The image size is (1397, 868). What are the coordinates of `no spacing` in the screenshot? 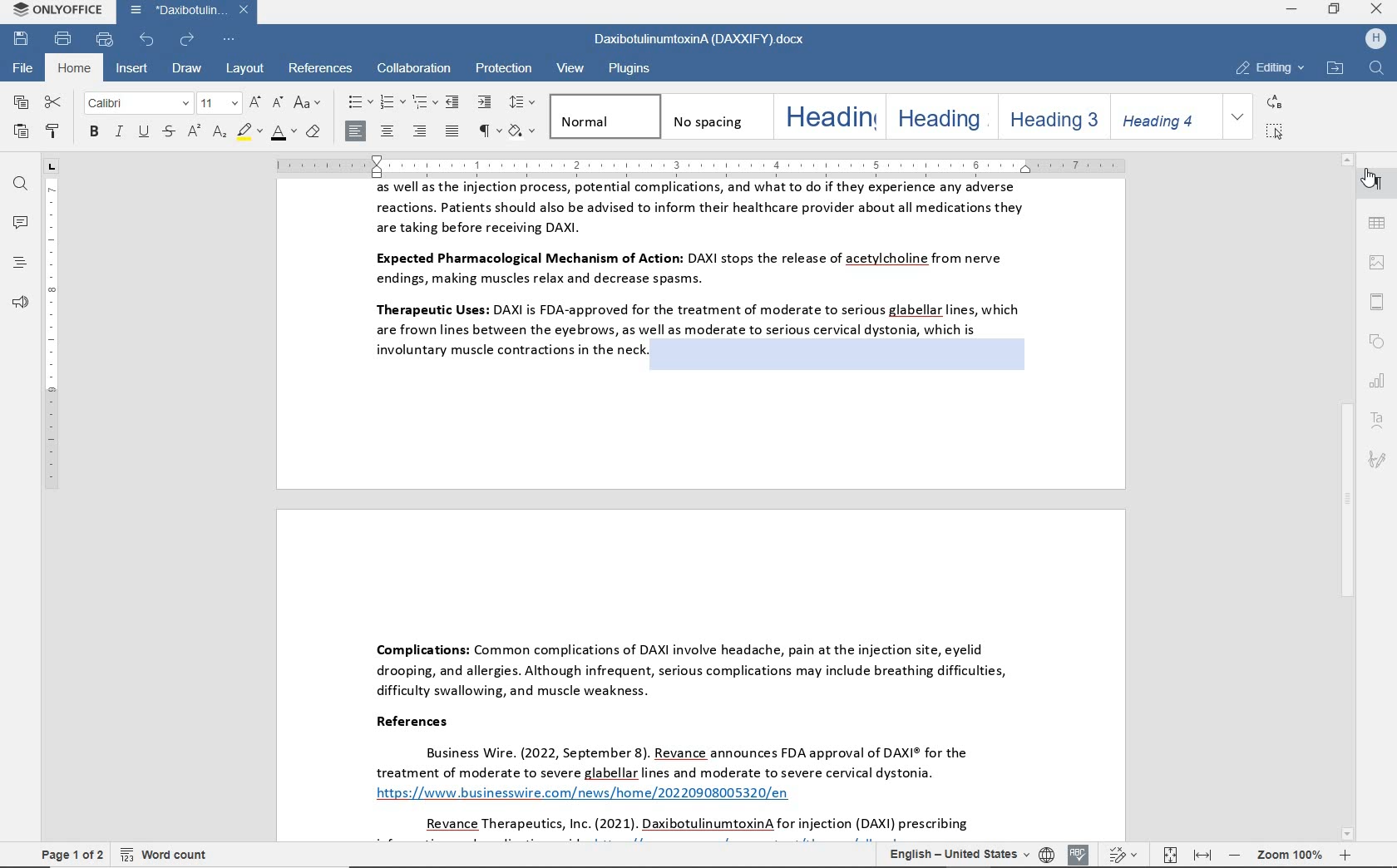 It's located at (713, 116).